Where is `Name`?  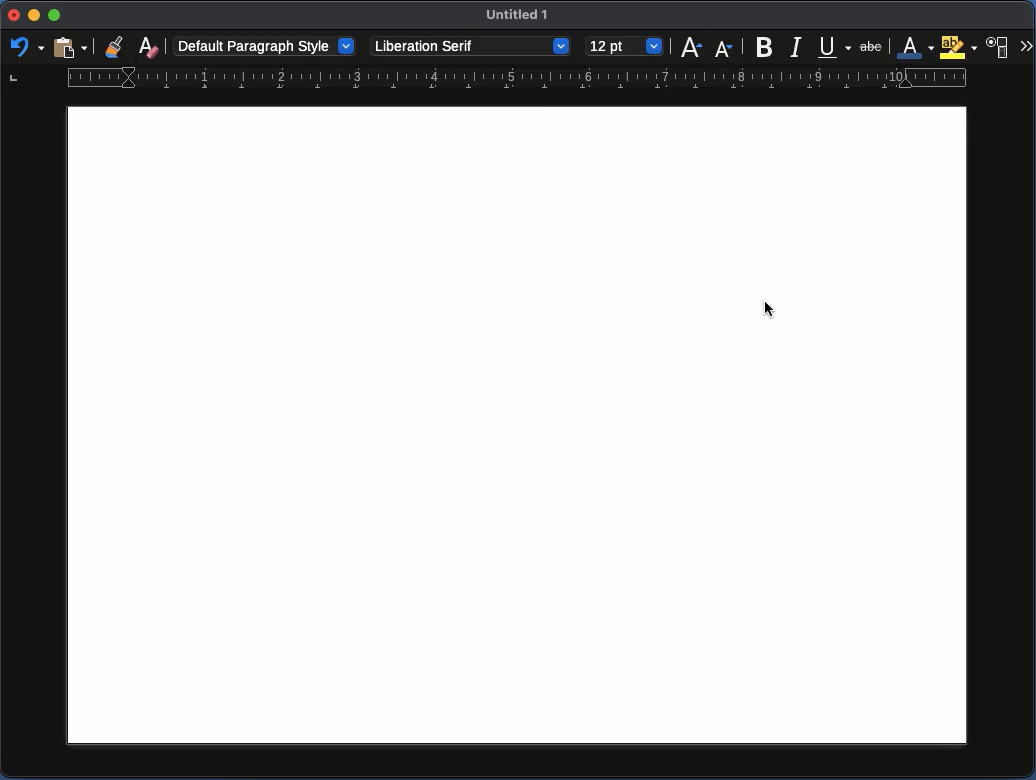
Name is located at coordinates (521, 18).